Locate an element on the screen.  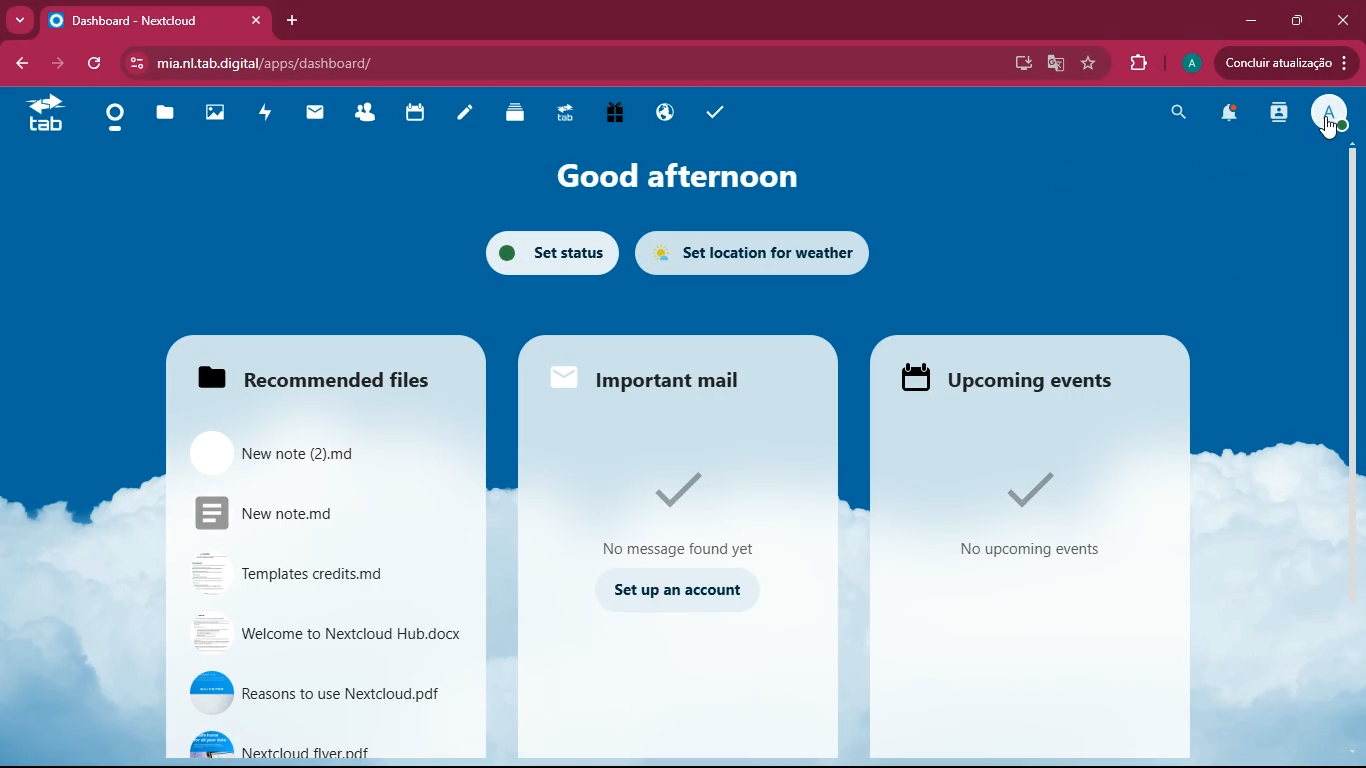
set status is located at coordinates (543, 256).